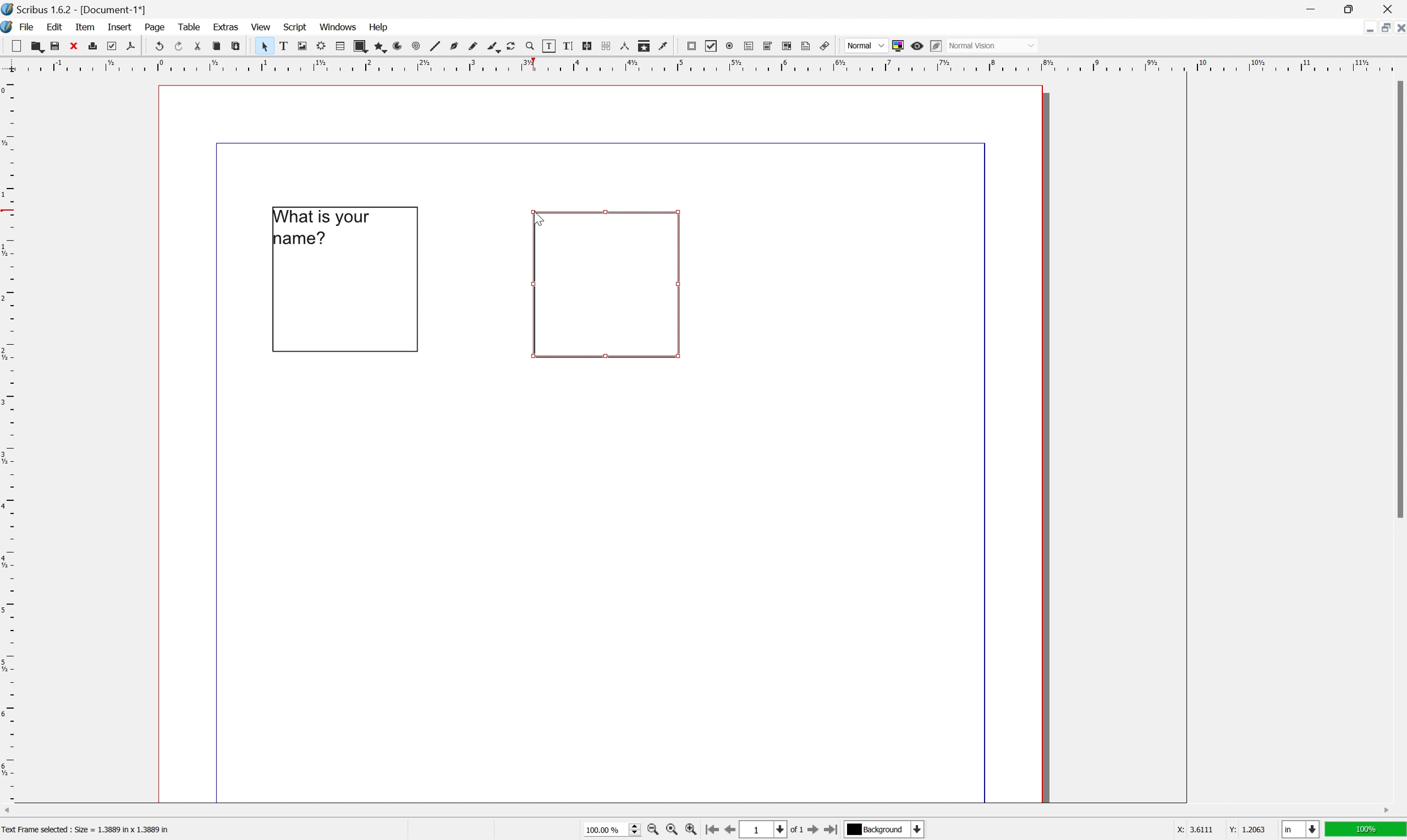  Describe the element at coordinates (54, 27) in the screenshot. I see `edit` at that location.